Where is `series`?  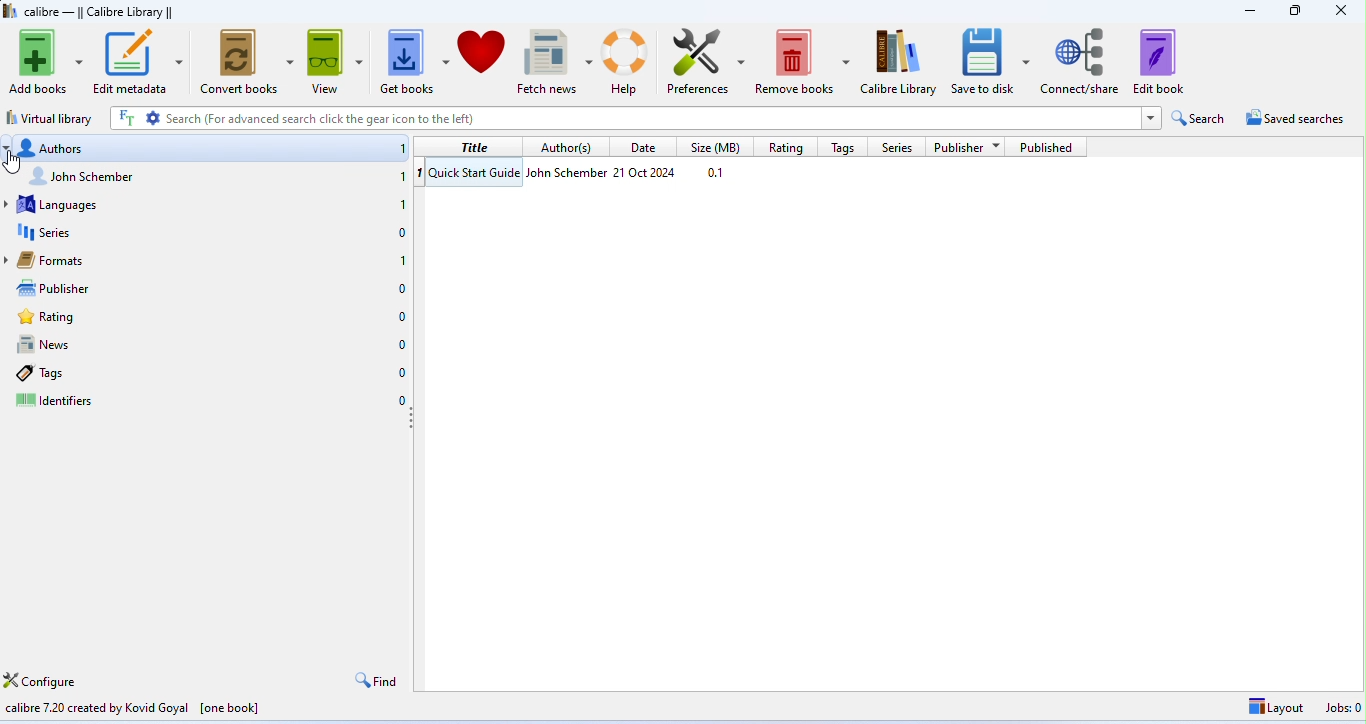 series is located at coordinates (211, 231).